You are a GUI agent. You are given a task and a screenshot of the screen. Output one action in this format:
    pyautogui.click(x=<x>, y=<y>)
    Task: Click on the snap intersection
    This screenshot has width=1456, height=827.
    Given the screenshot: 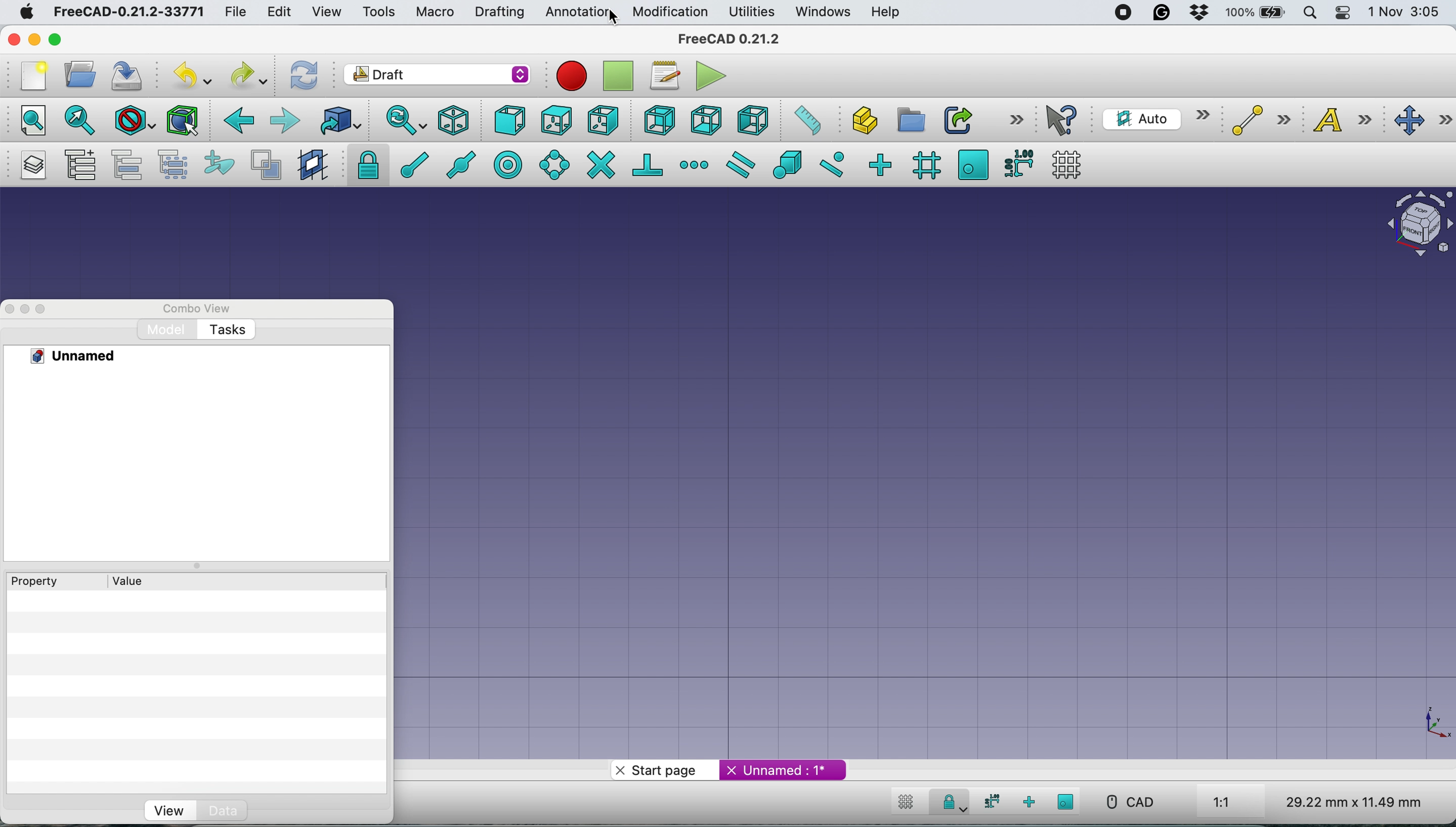 What is the action you would take?
    pyautogui.click(x=600, y=166)
    